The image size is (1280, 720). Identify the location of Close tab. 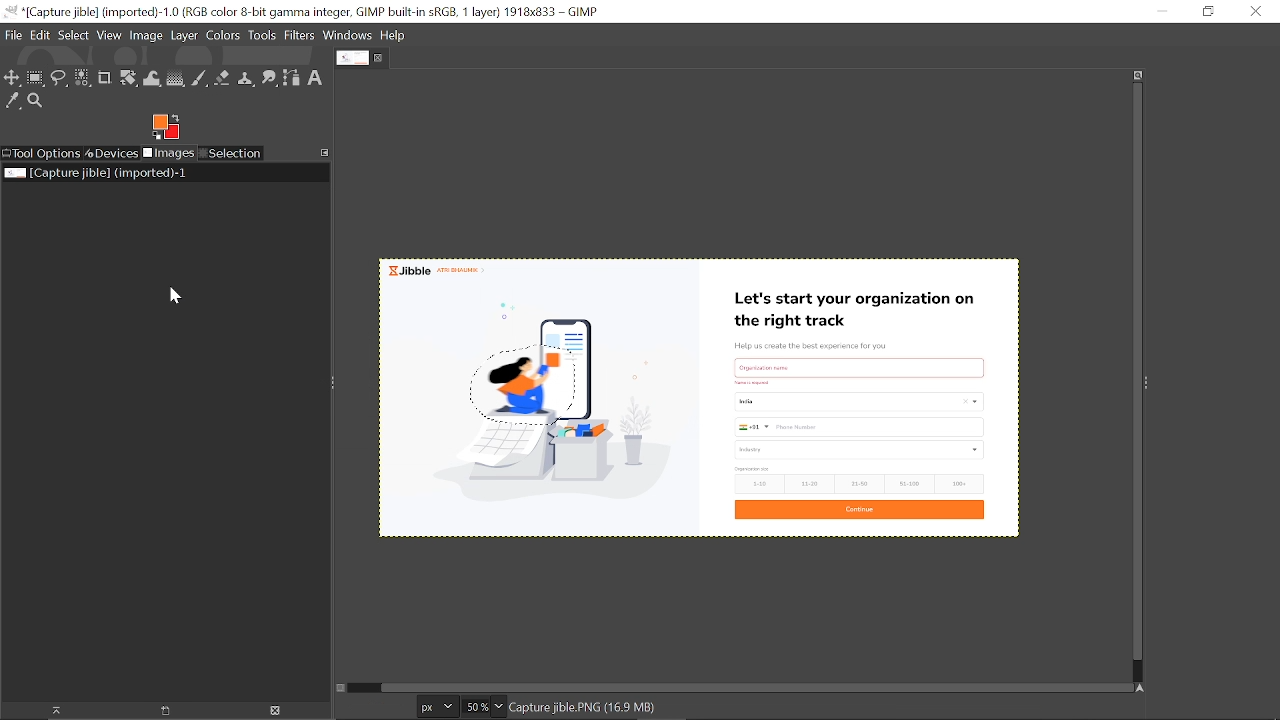
(381, 58).